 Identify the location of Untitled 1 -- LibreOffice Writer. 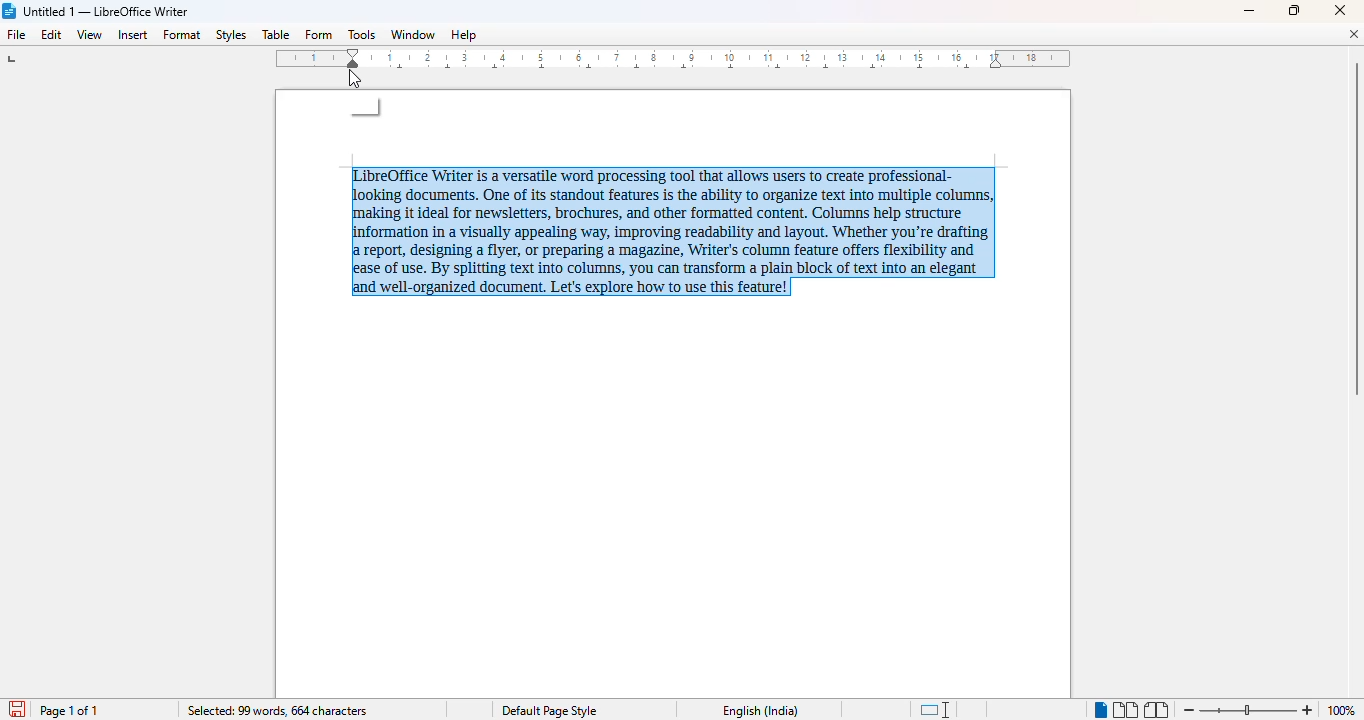
(107, 12).